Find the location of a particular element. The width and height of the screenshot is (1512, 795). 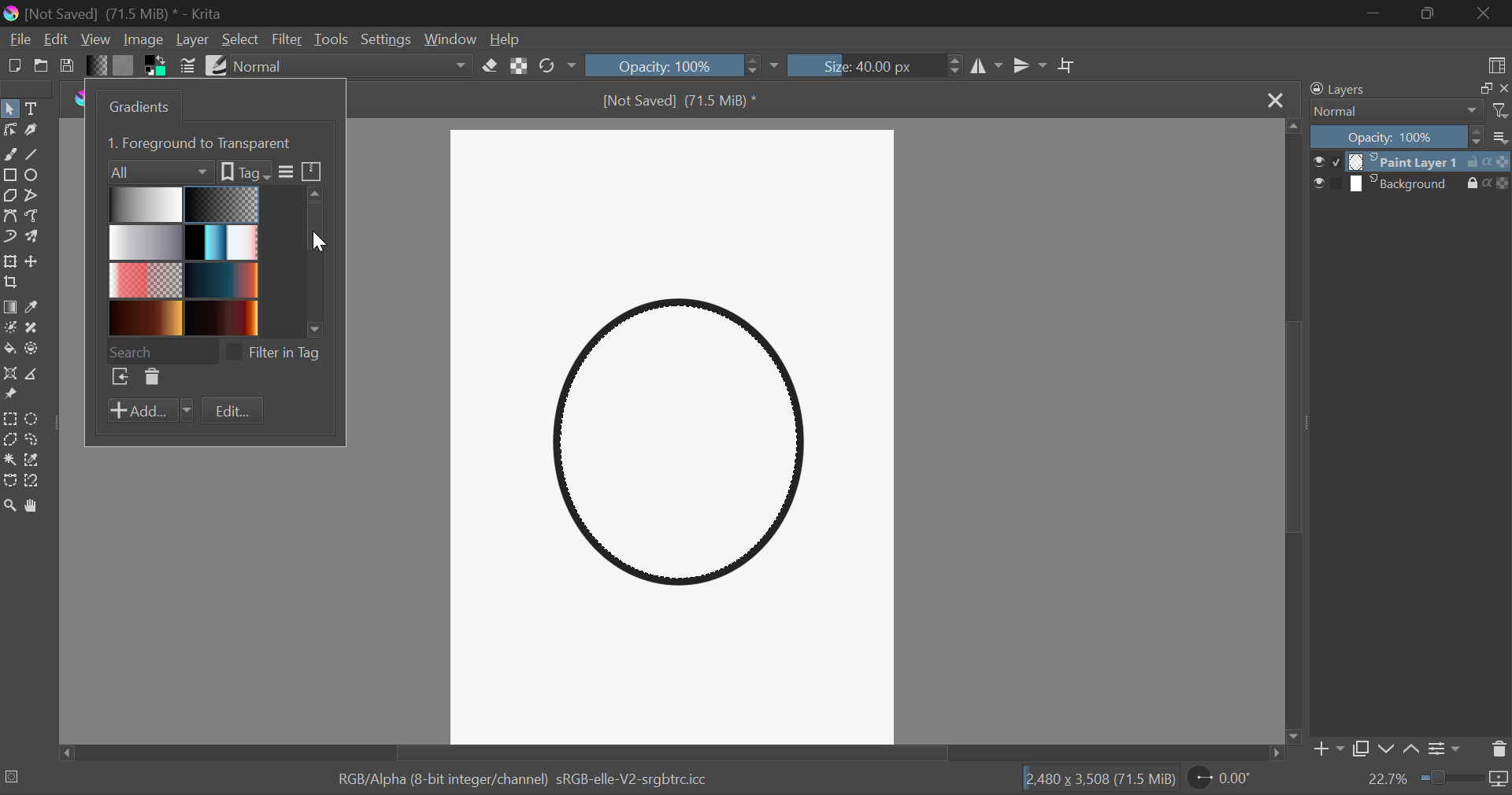

filter is located at coordinates (1499, 111).